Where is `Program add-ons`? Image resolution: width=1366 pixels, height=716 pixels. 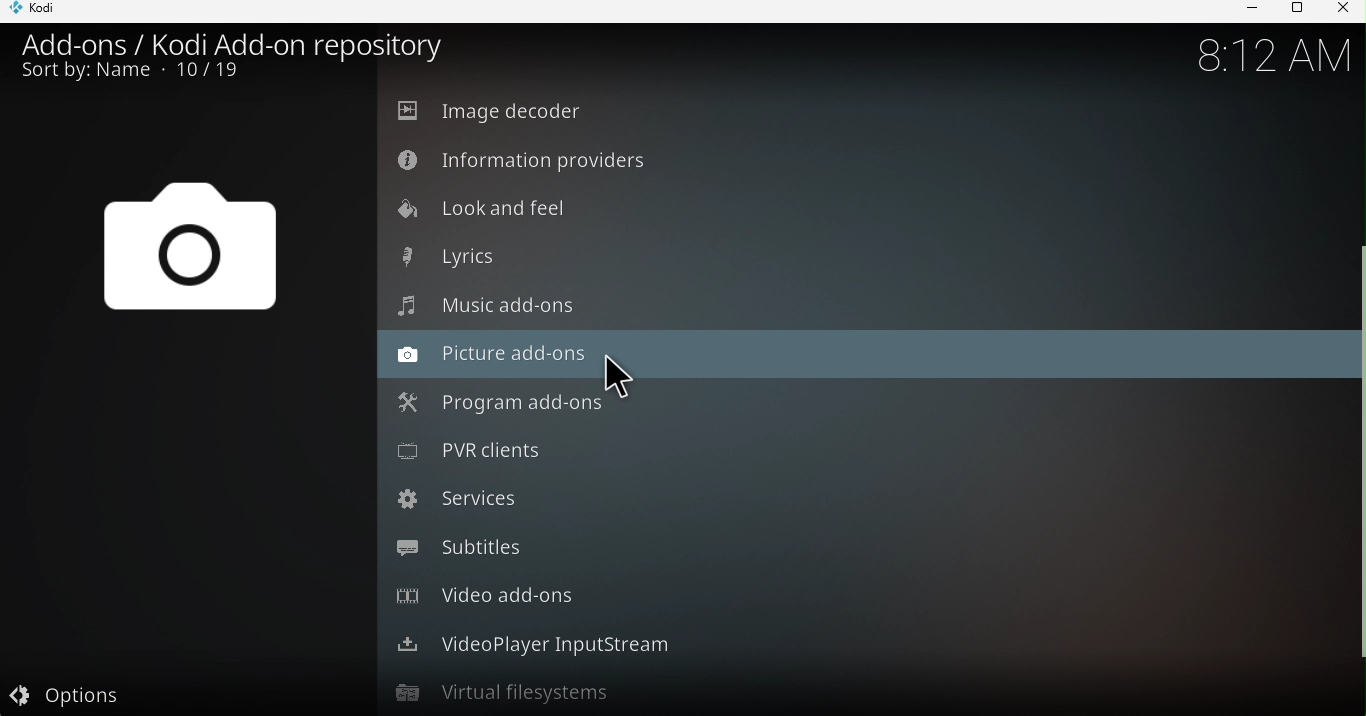 Program add-ons is located at coordinates (857, 401).